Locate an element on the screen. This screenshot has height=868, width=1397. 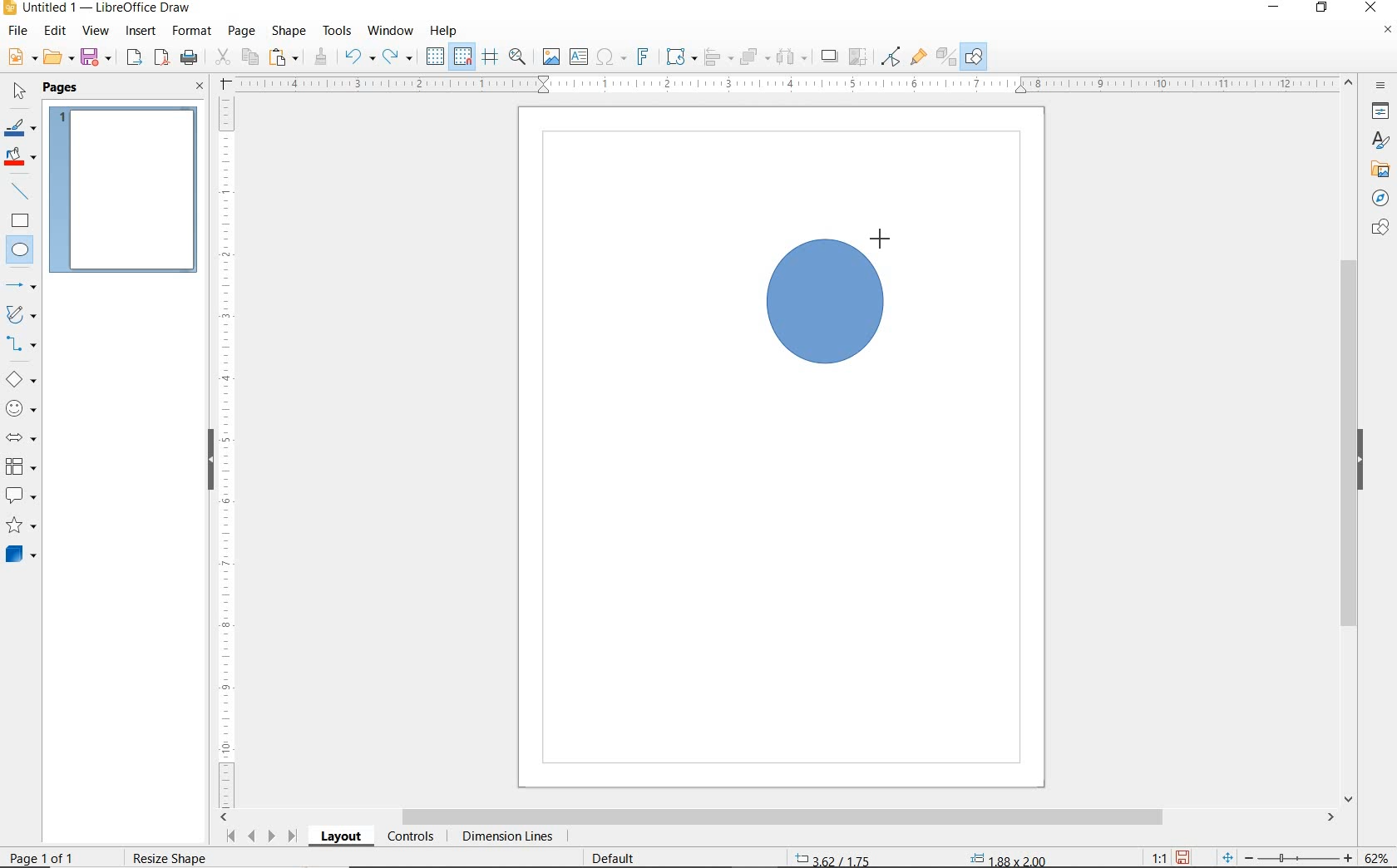
SHAPE is located at coordinates (290, 33).